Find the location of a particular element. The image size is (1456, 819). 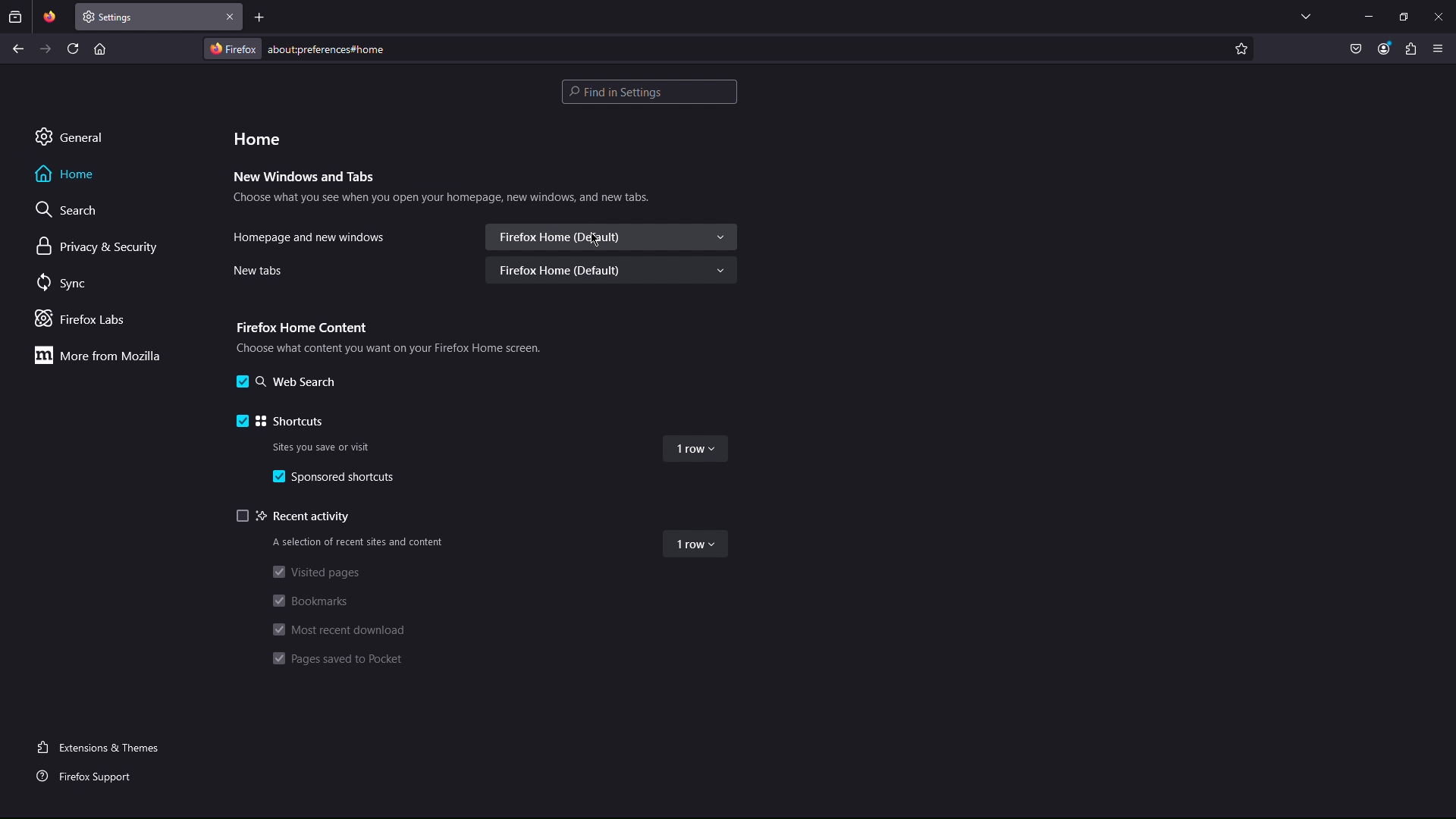

Firefox Support is located at coordinates (89, 774).